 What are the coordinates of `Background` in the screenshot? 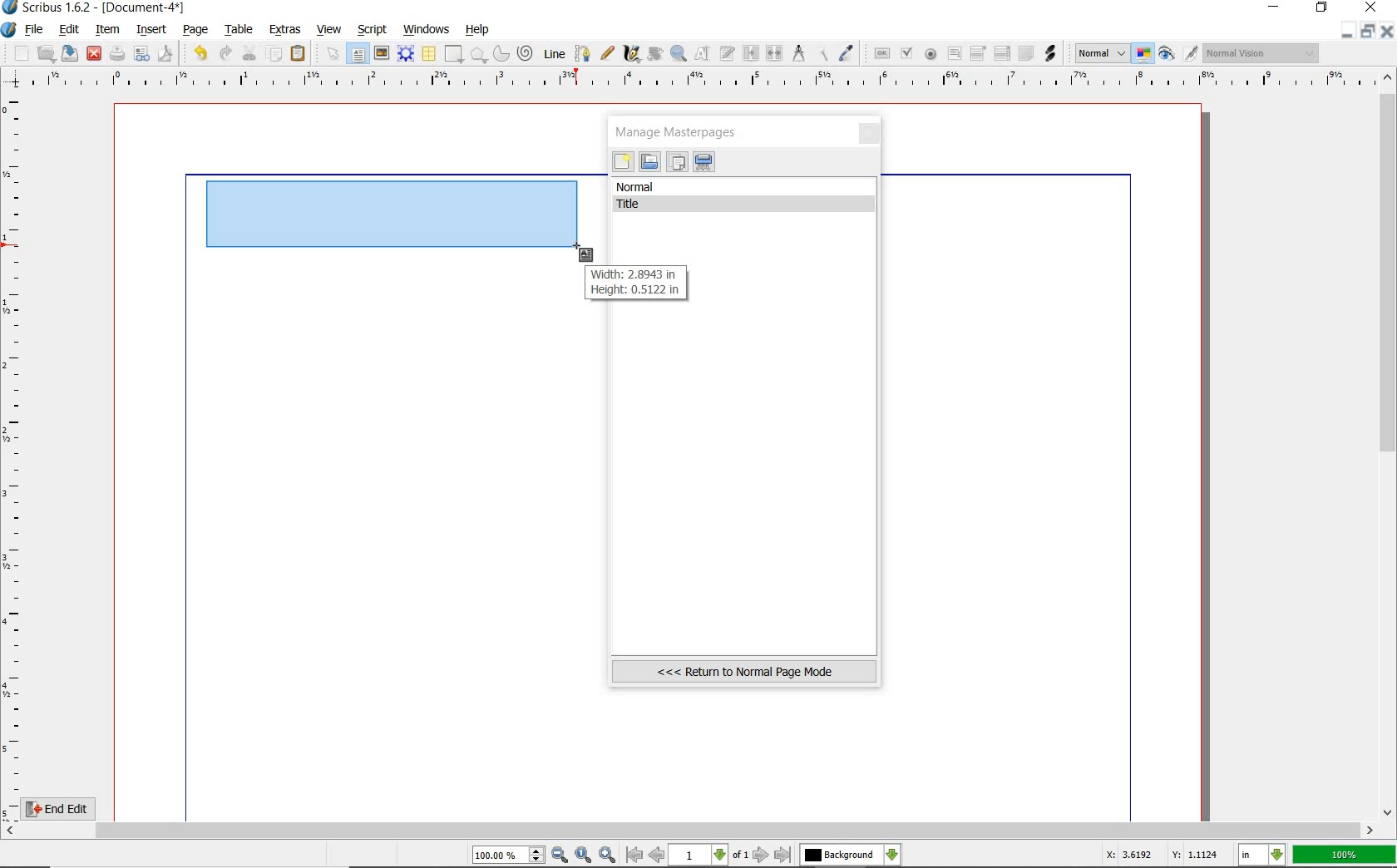 It's located at (851, 856).